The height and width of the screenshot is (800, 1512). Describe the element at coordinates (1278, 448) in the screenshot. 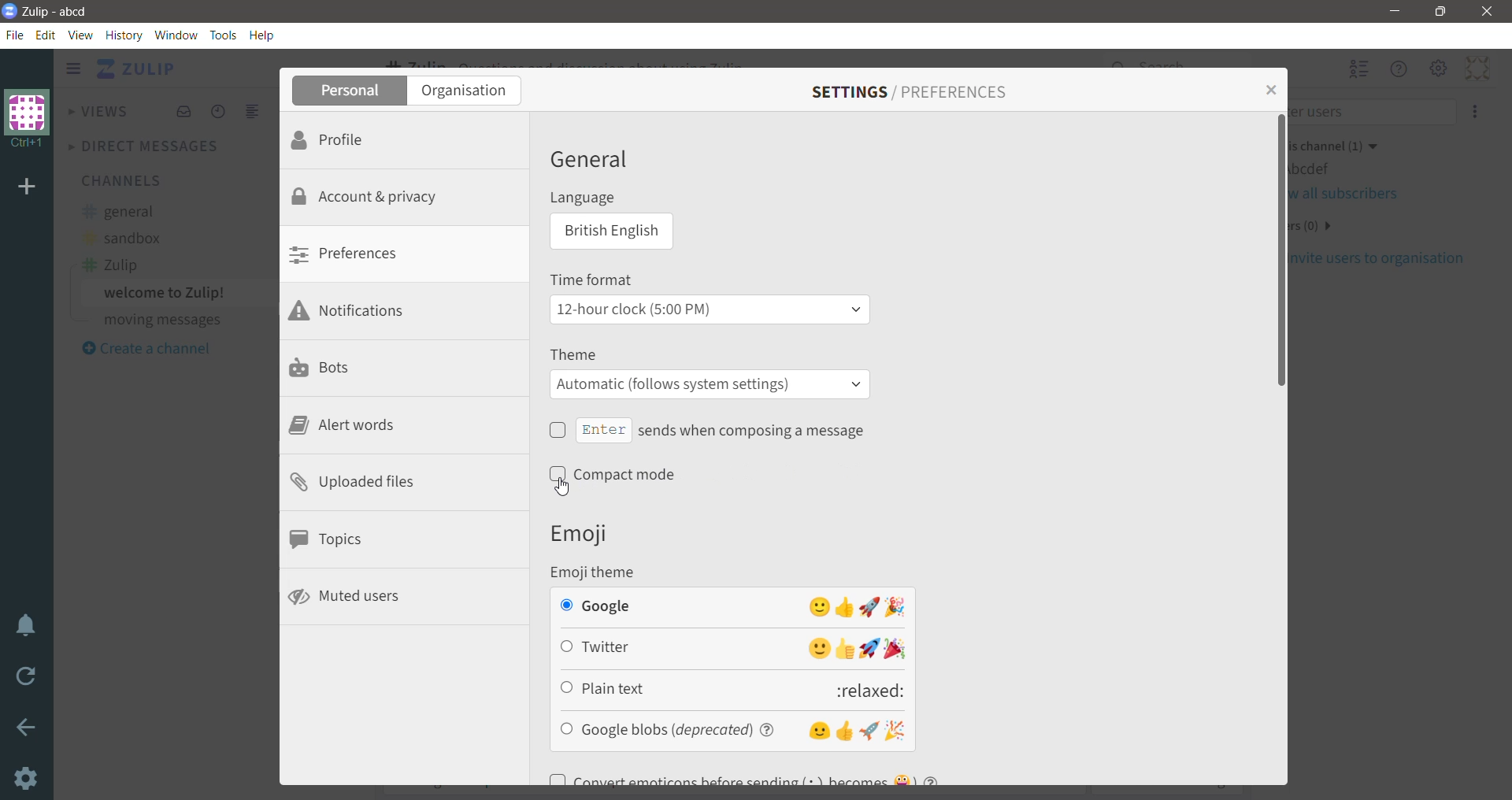

I see `Vertical Scroll Bar` at that location.